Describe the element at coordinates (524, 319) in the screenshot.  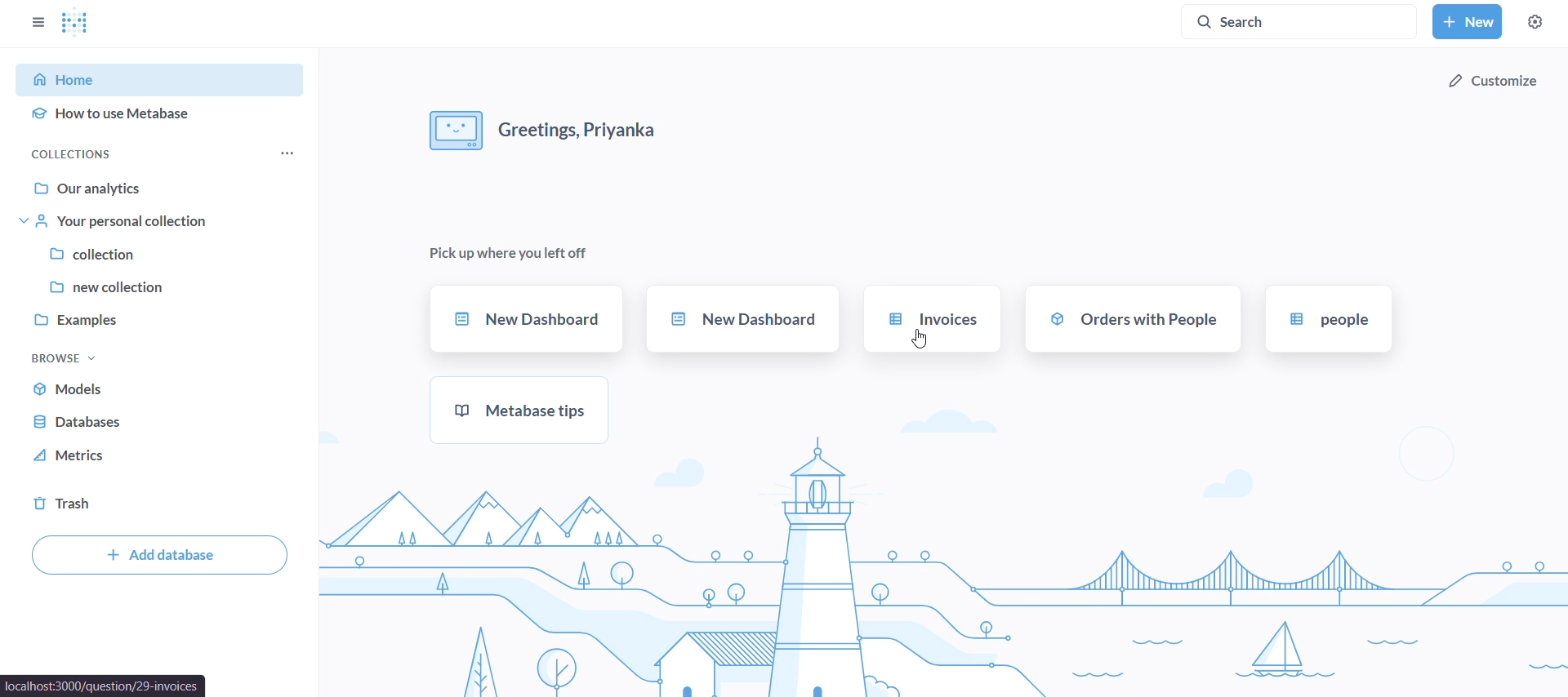
I see `new dashboard` at that location.